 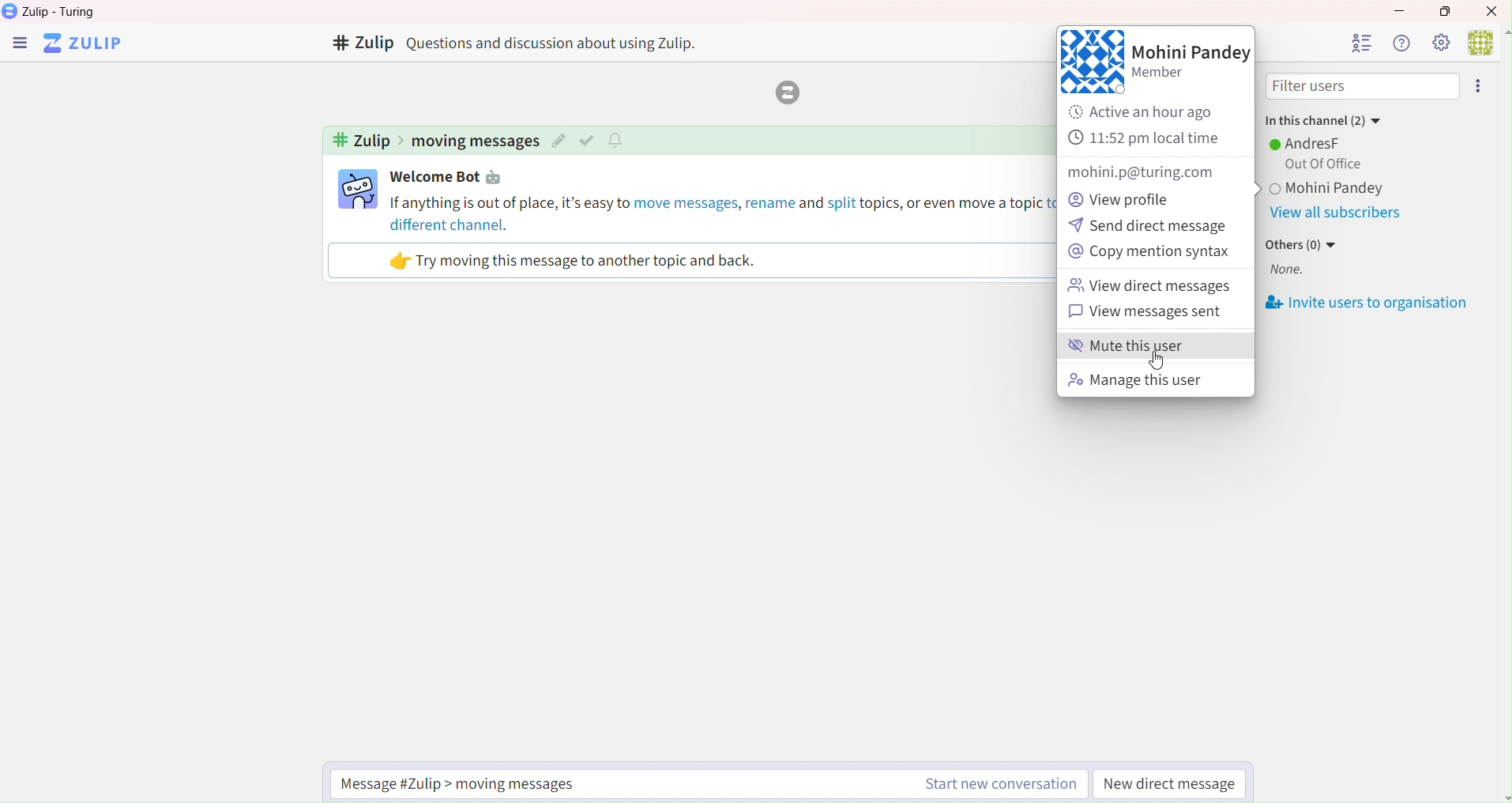 What do you see at coordinates (1151, 288) in the screenshot?
I see `view direct messages` at bounding box center [1151, 288].